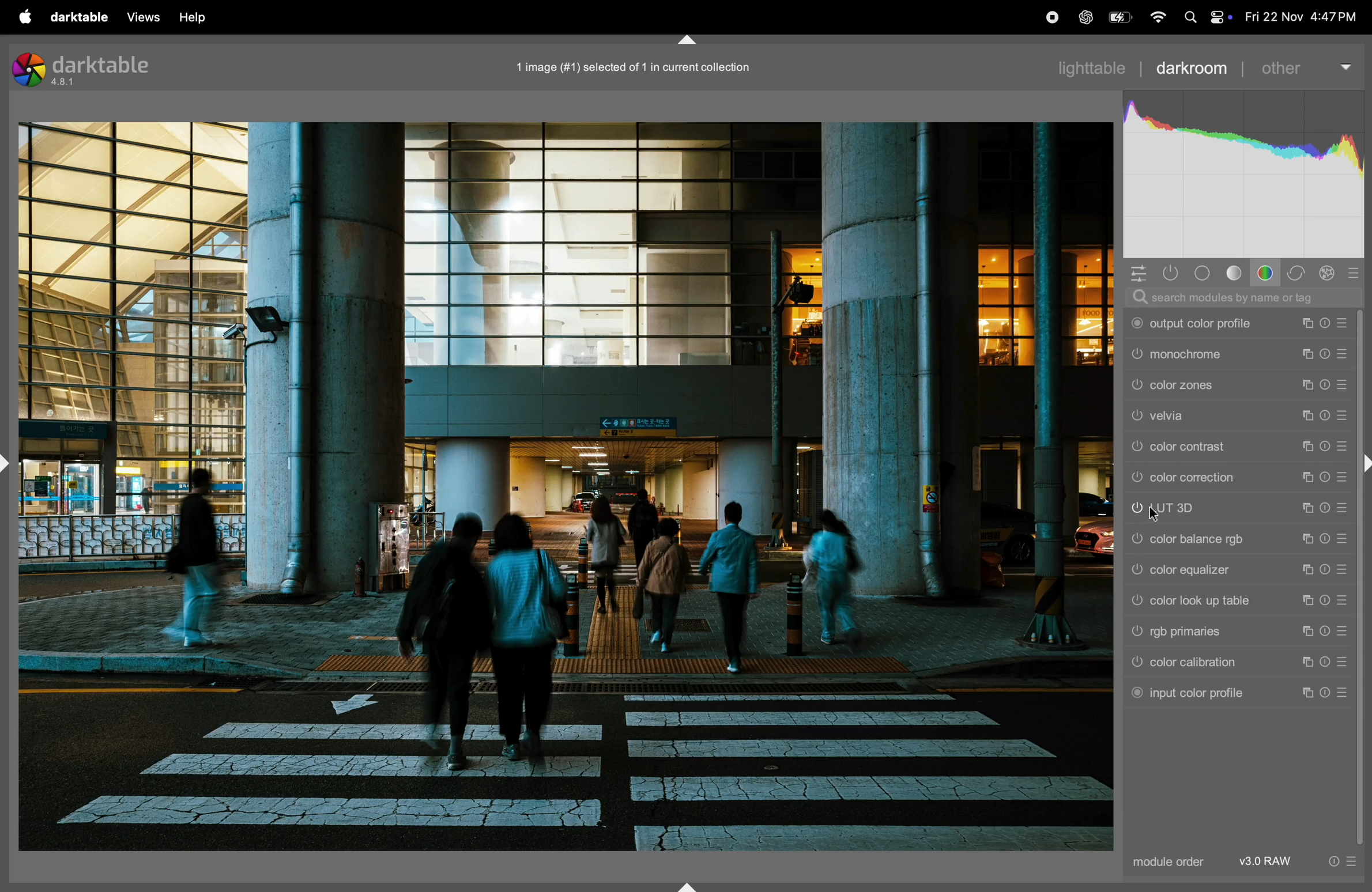  What do you see at coordinates (1213, 602) in the screenshot?
I see `color lookup table` at bounding box center [1213, 602].